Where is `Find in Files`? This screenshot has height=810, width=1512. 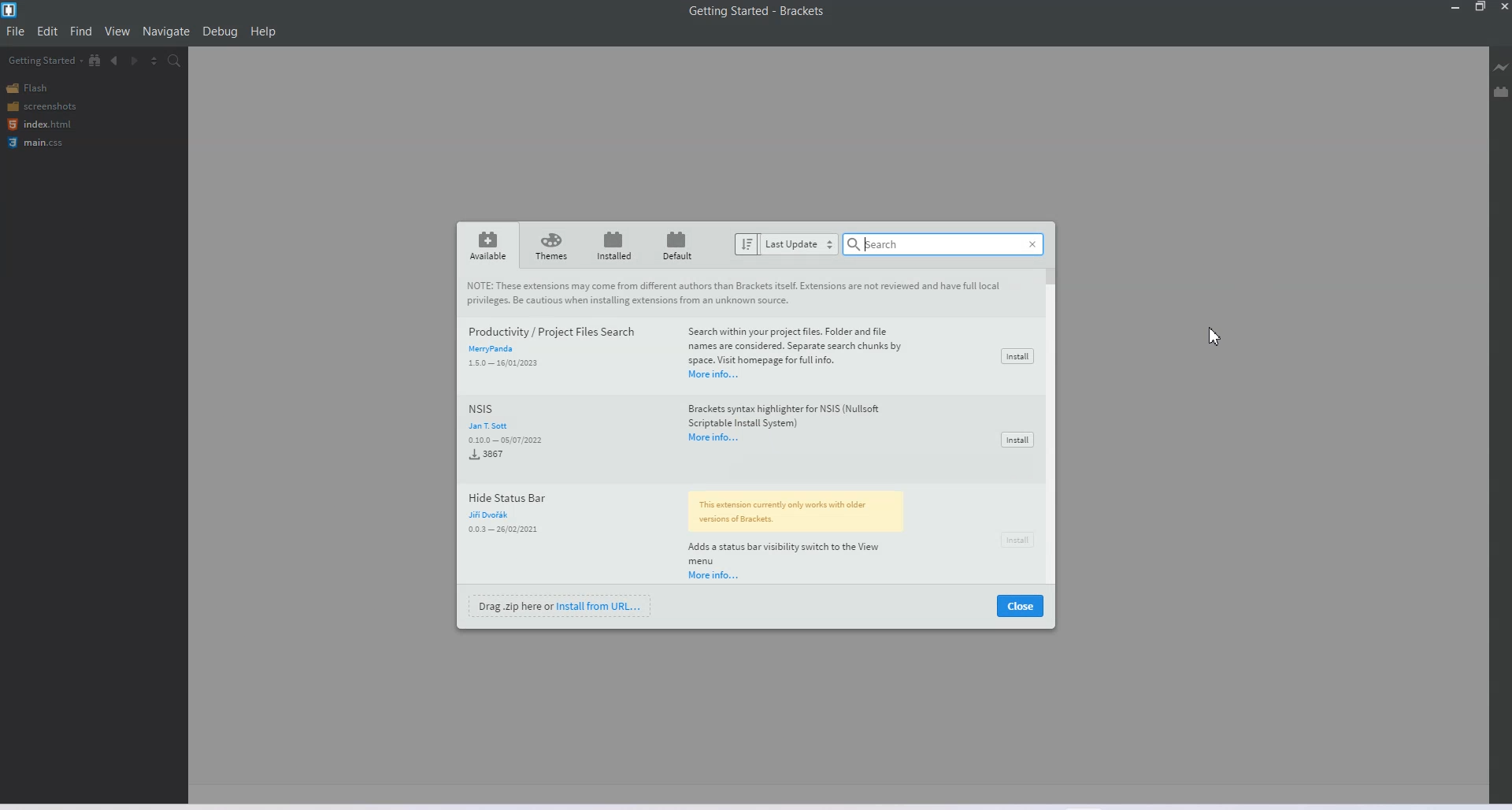
Find in Files is located at coordinates (175, 61).